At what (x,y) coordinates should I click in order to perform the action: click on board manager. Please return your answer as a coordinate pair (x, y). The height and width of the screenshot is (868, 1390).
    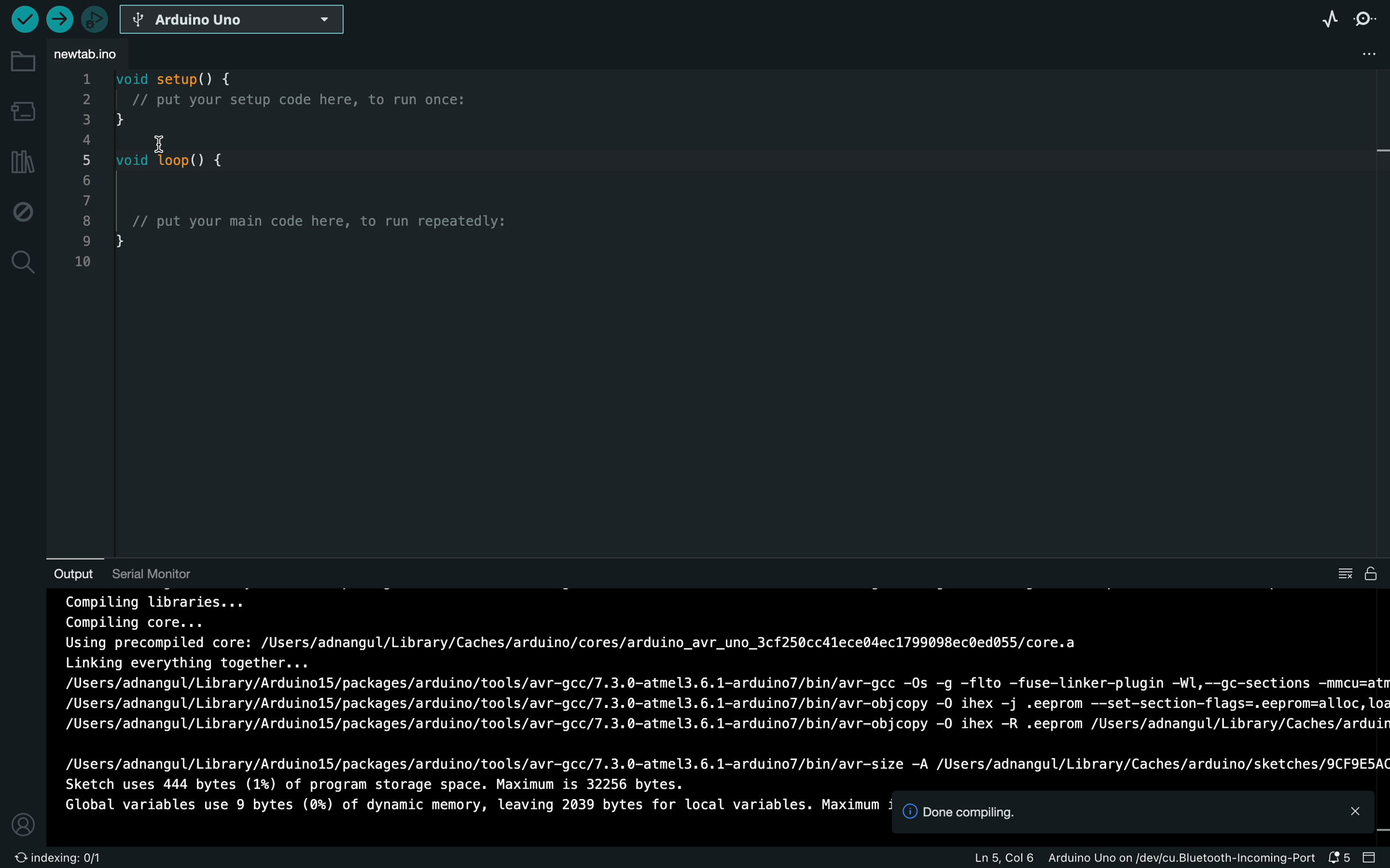
    Looking at the image, I should click on (22, 108).